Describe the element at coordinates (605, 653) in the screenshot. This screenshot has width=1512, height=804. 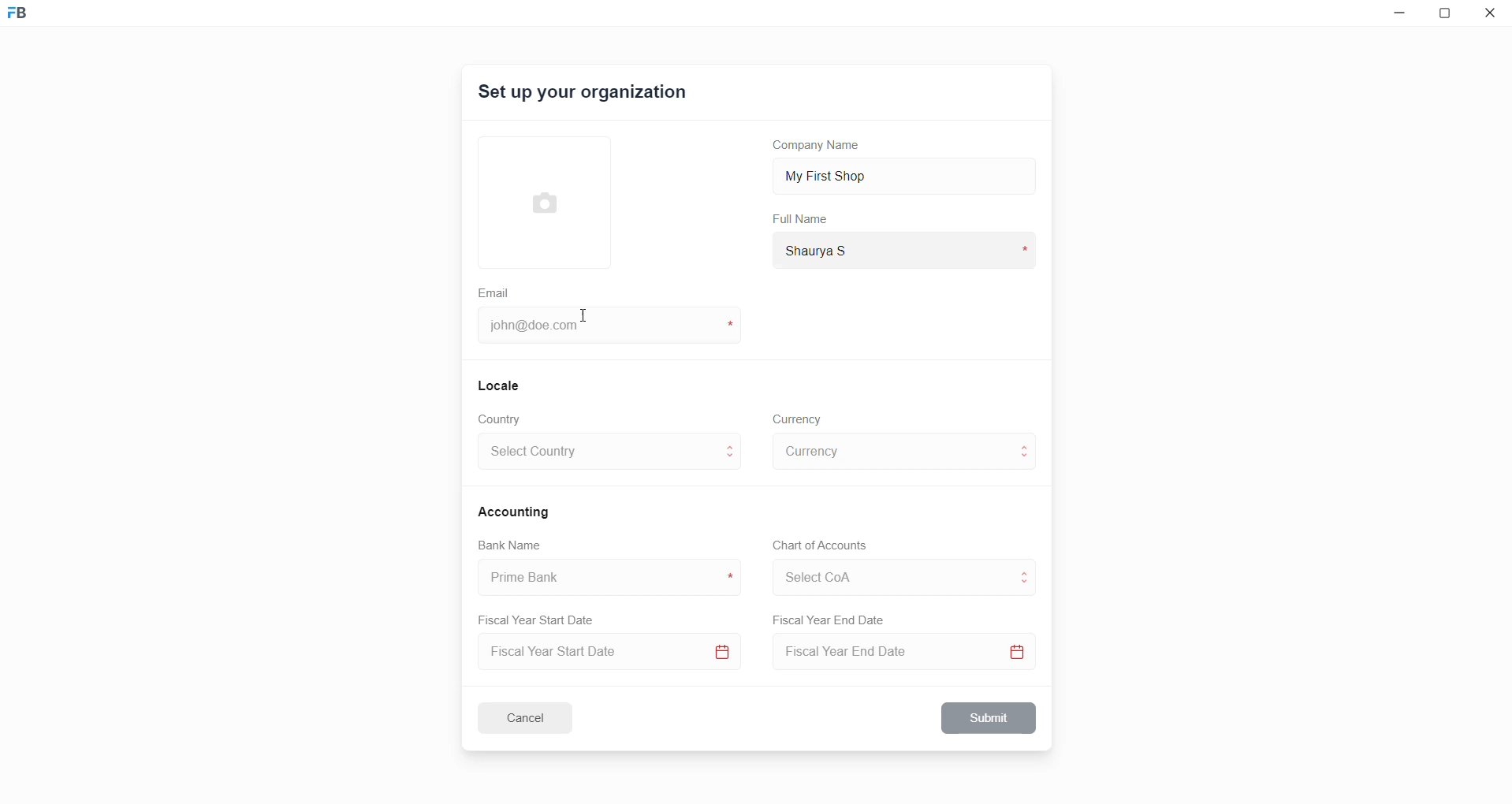
I see `select fiscal year start date` at that location.